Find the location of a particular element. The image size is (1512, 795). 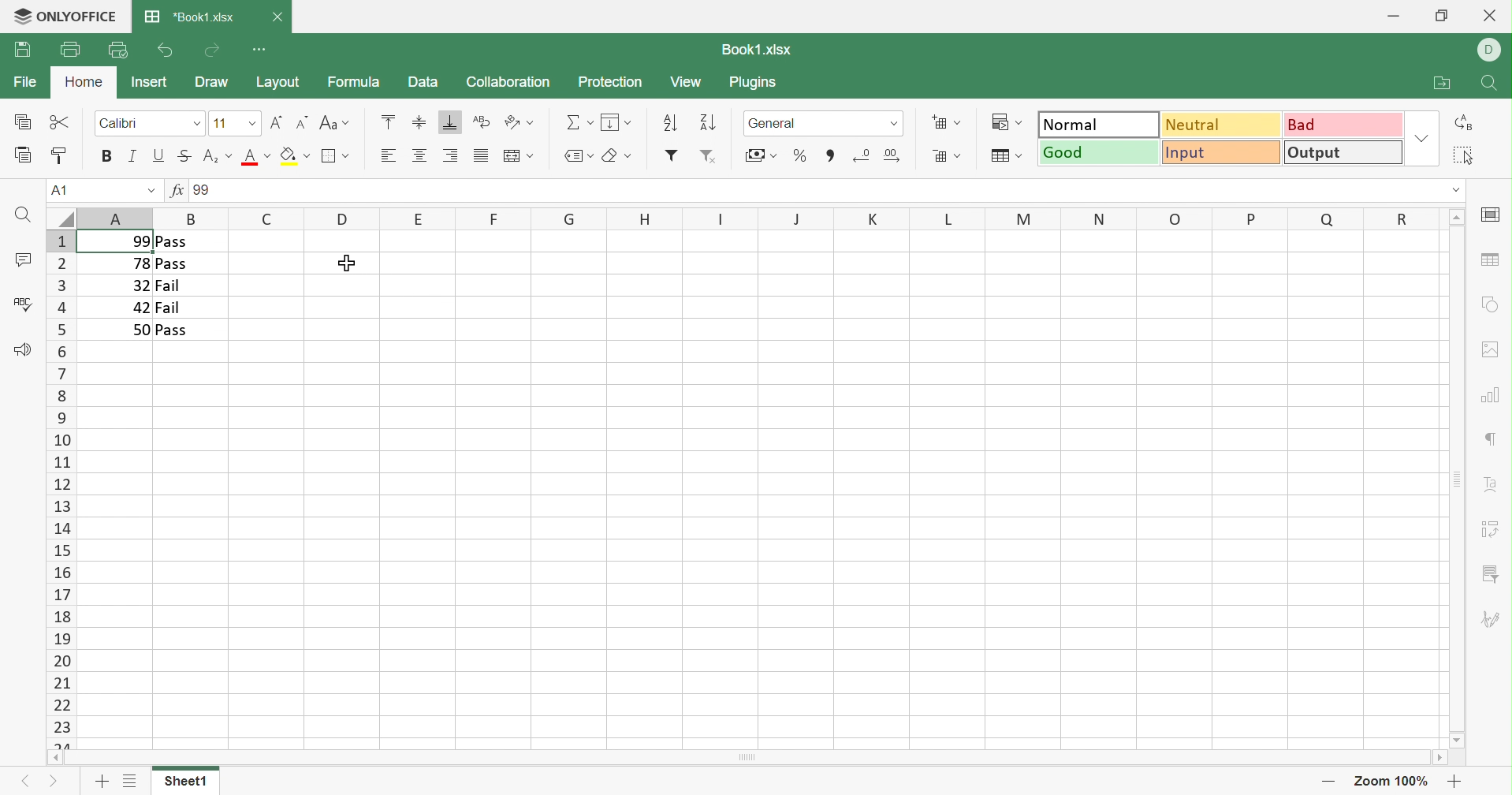

Justified is located at coordinates (479, 156).